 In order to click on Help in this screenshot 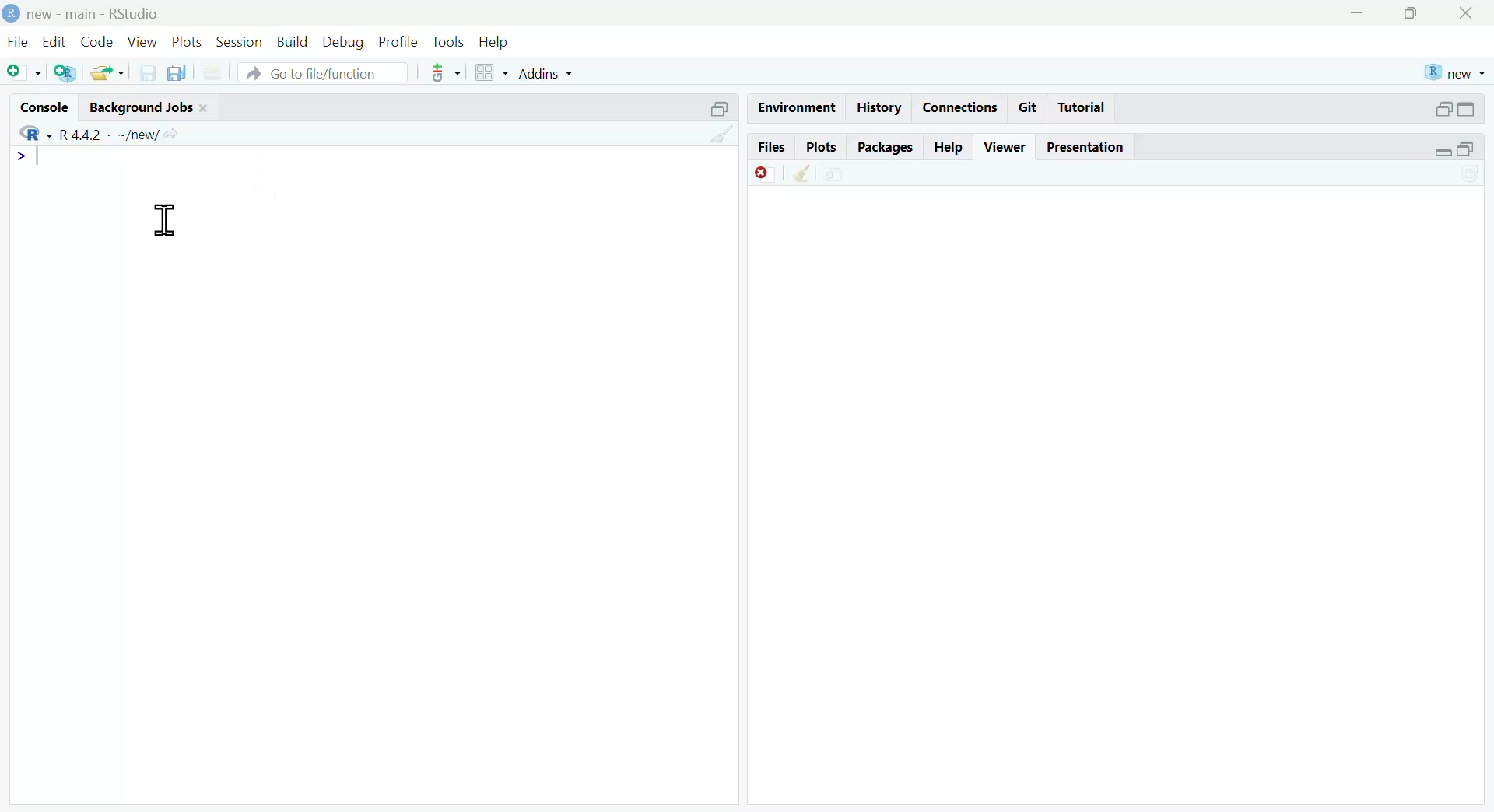, I will do `click(952, 145)`.